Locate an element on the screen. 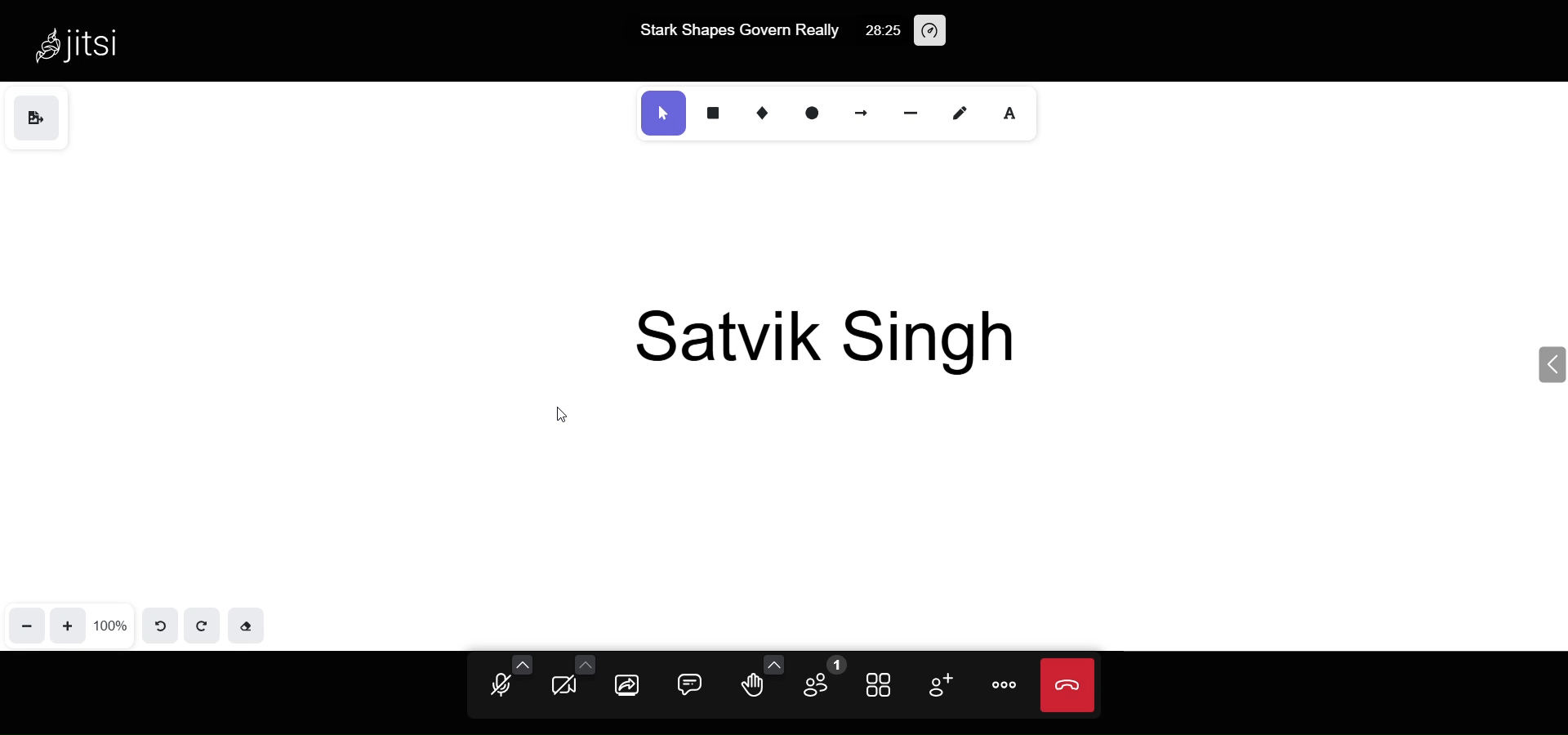  invite people is located at coordinates (941, 684).